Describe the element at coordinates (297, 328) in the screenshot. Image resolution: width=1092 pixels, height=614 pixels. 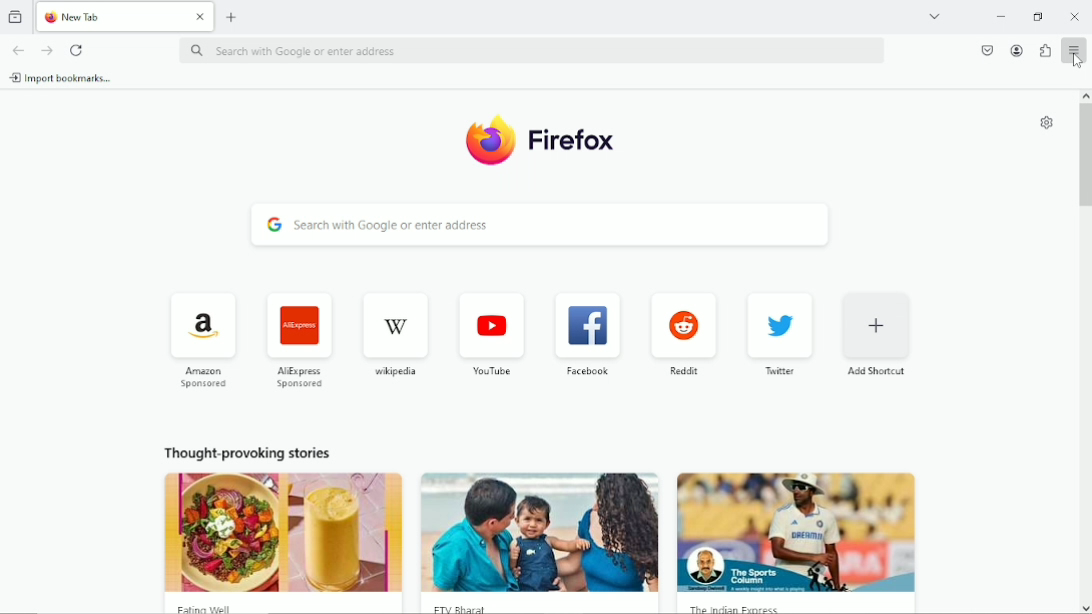
I see `icon` at that location.